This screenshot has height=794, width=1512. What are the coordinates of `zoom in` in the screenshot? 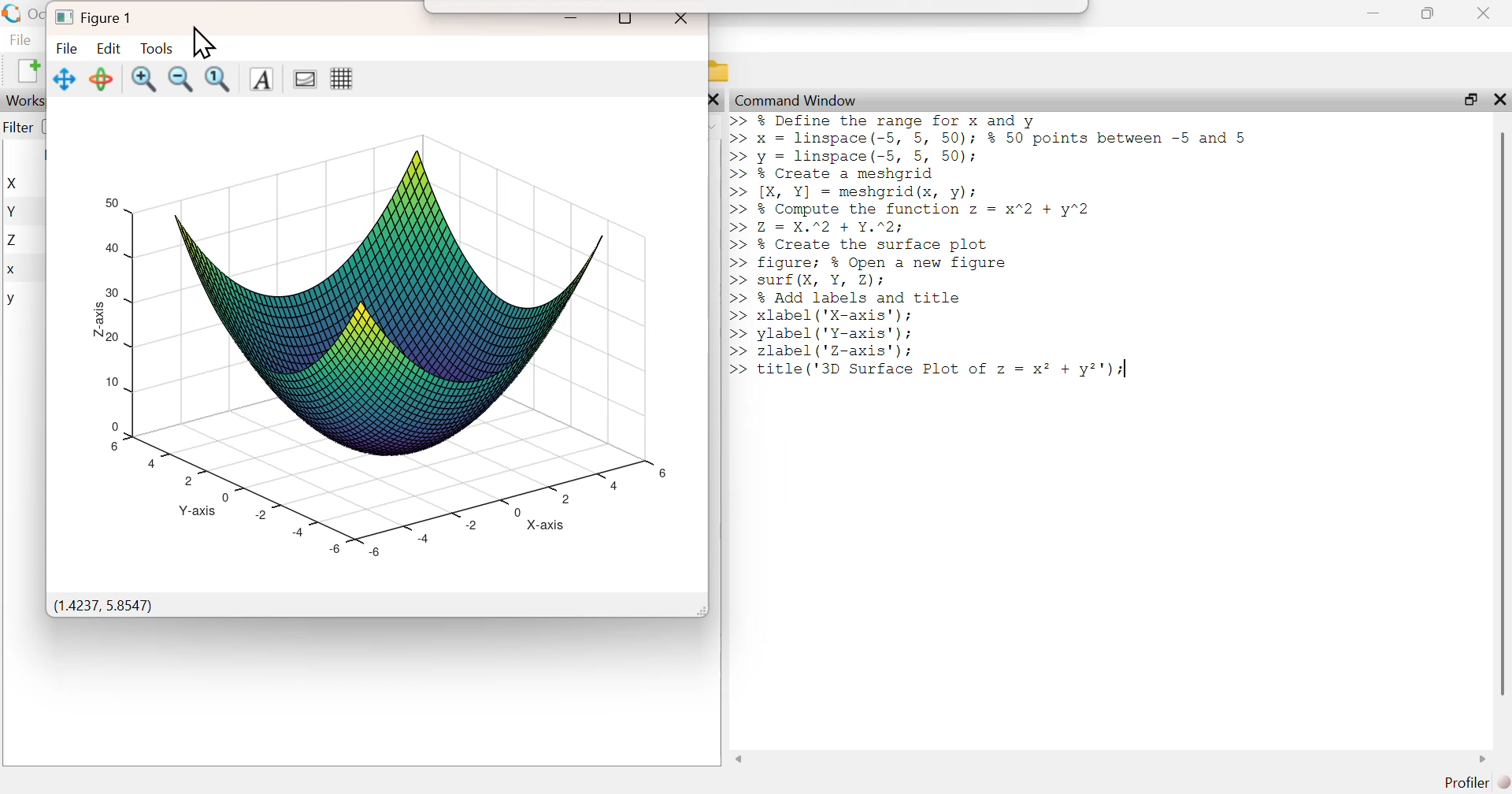 It's located at (143, 79).